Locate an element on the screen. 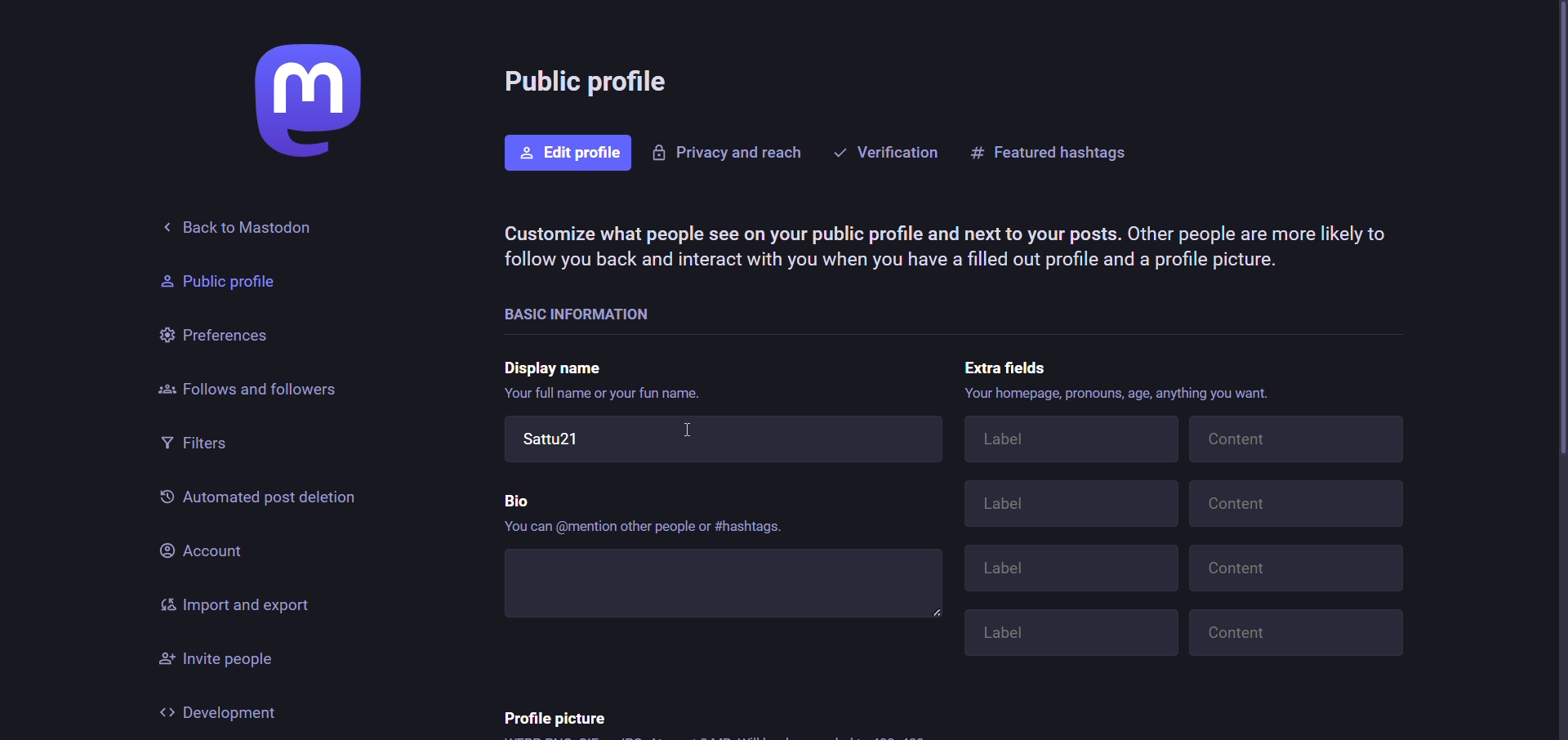 The image size is (1568, 740). verification is located at coordinates (886, 150).